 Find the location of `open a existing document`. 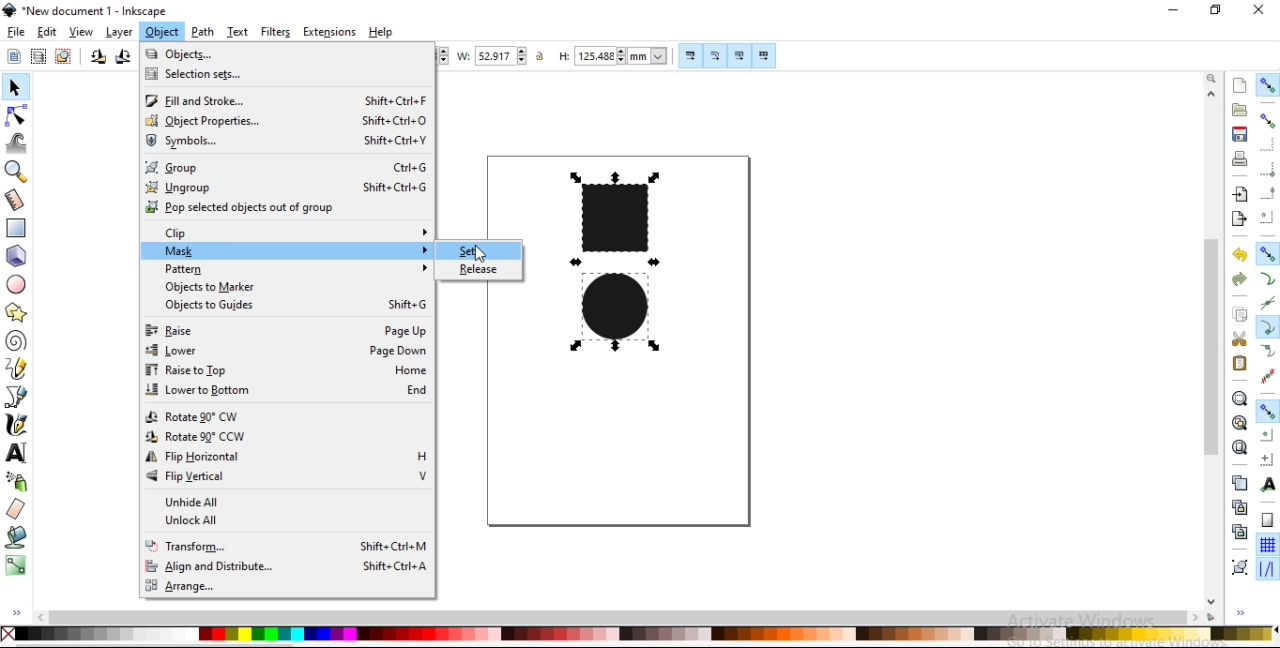

open a existing document is located at coordinates (1241, 109).